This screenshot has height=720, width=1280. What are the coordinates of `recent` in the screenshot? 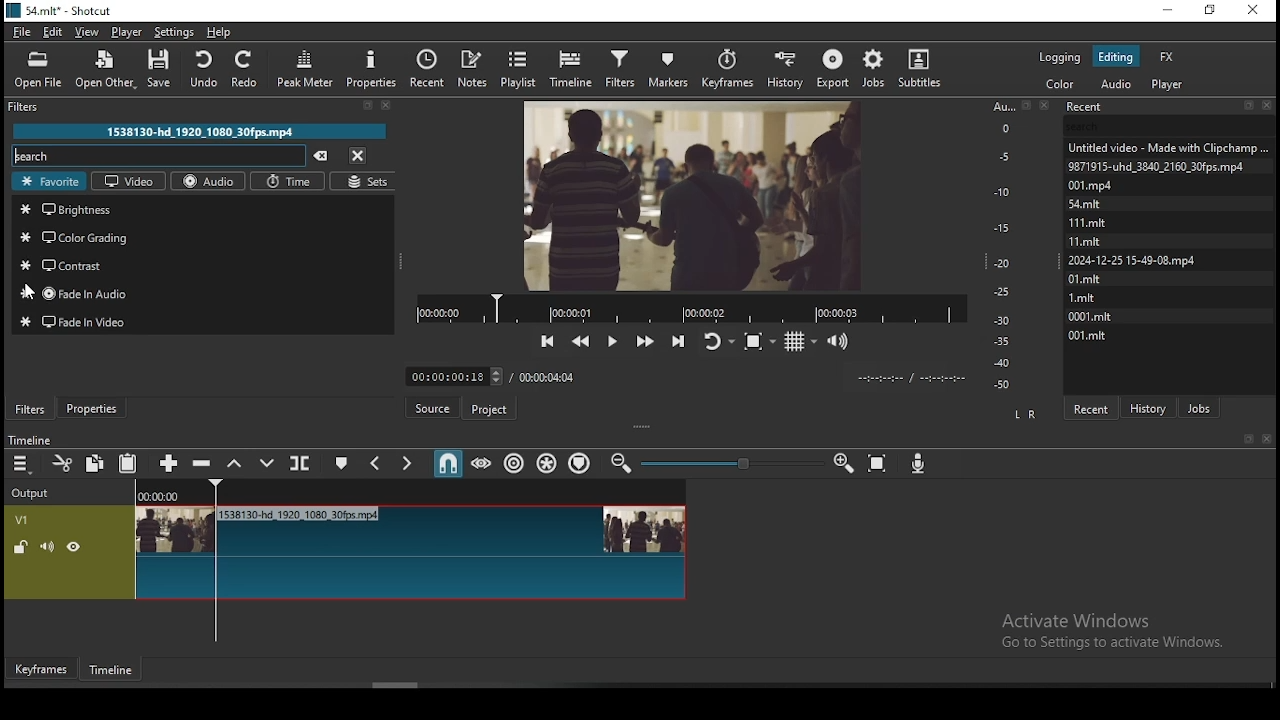 It's located at (1170, 105).